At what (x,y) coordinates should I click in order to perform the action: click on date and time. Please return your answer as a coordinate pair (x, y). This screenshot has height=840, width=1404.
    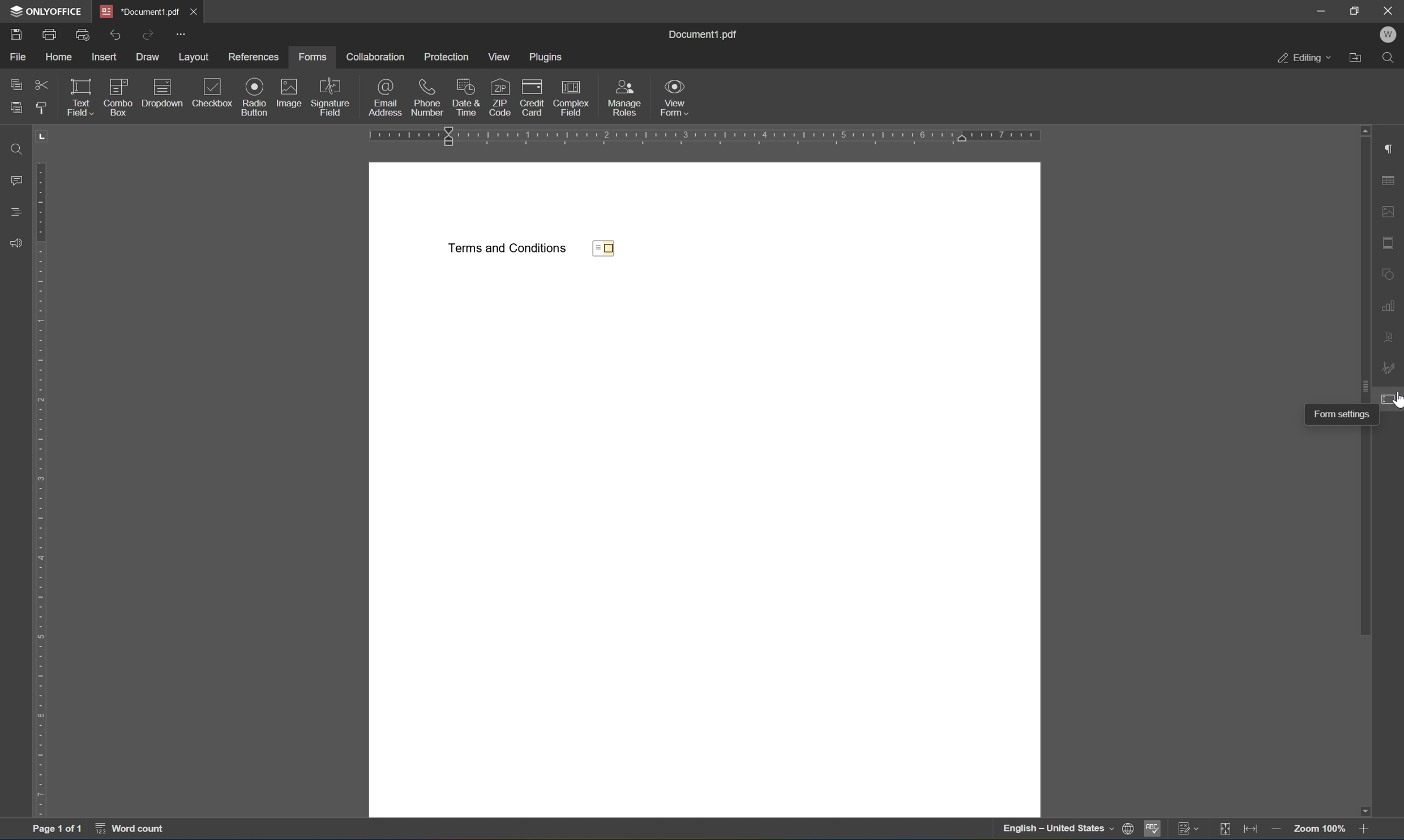
    Looking at the image, I should click on (466, 97).